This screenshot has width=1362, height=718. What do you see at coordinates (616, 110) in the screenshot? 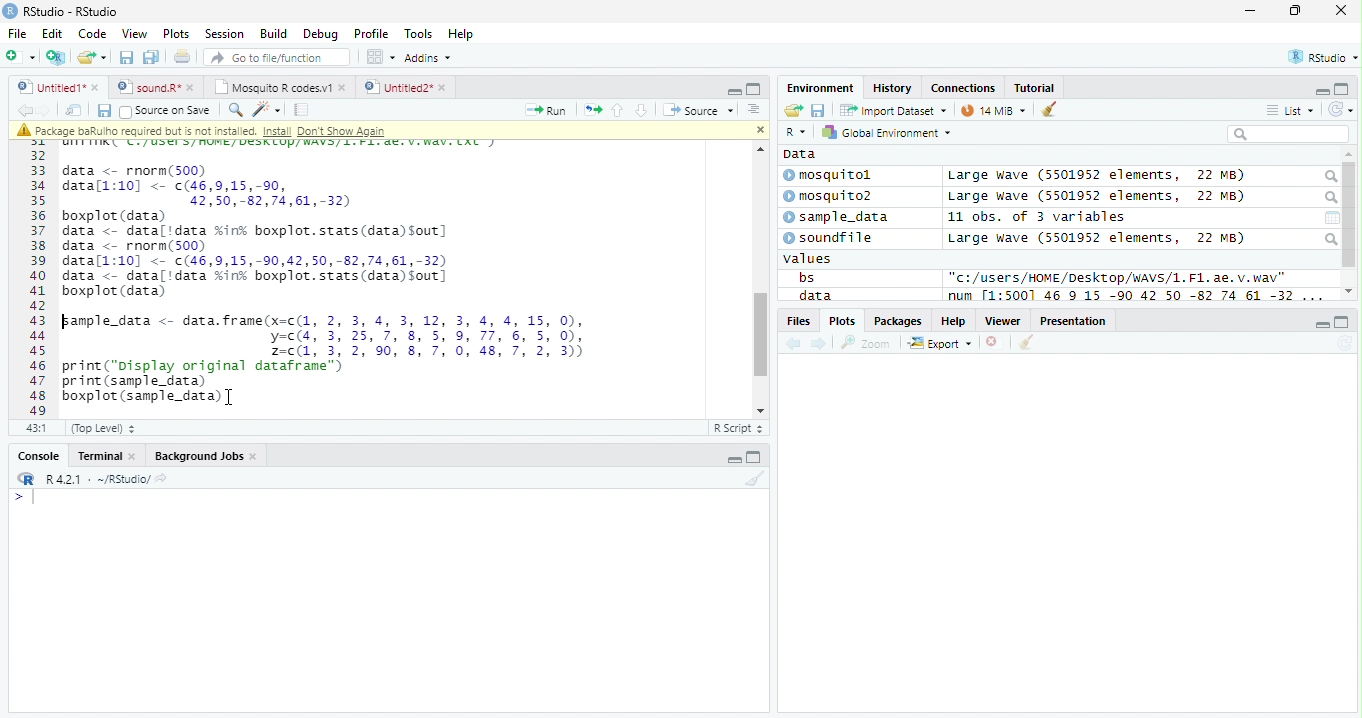
I see `Go to previous section` at bounding box center [616, 110].